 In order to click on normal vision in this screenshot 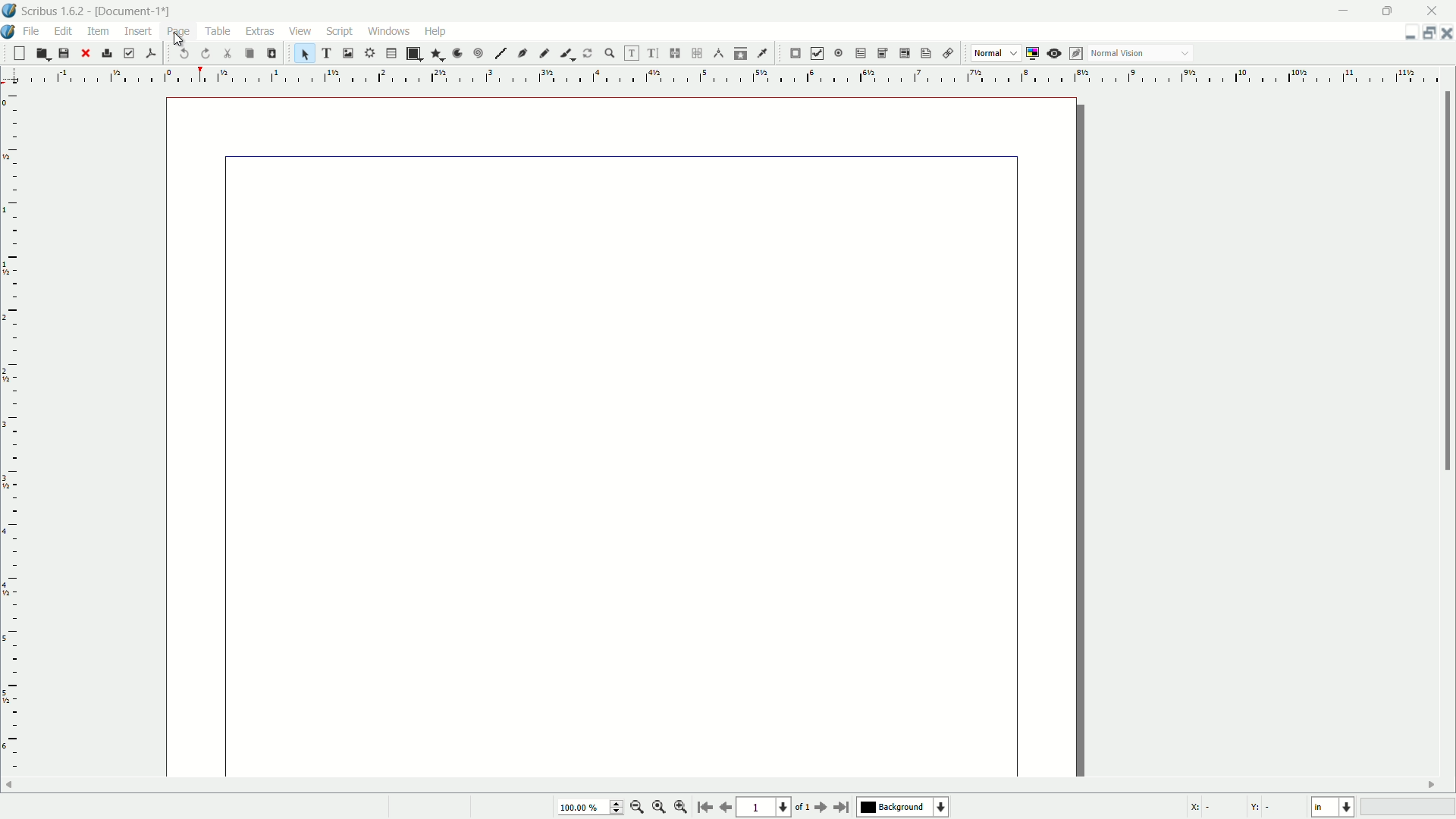, I will do `click(1119, 54)`.